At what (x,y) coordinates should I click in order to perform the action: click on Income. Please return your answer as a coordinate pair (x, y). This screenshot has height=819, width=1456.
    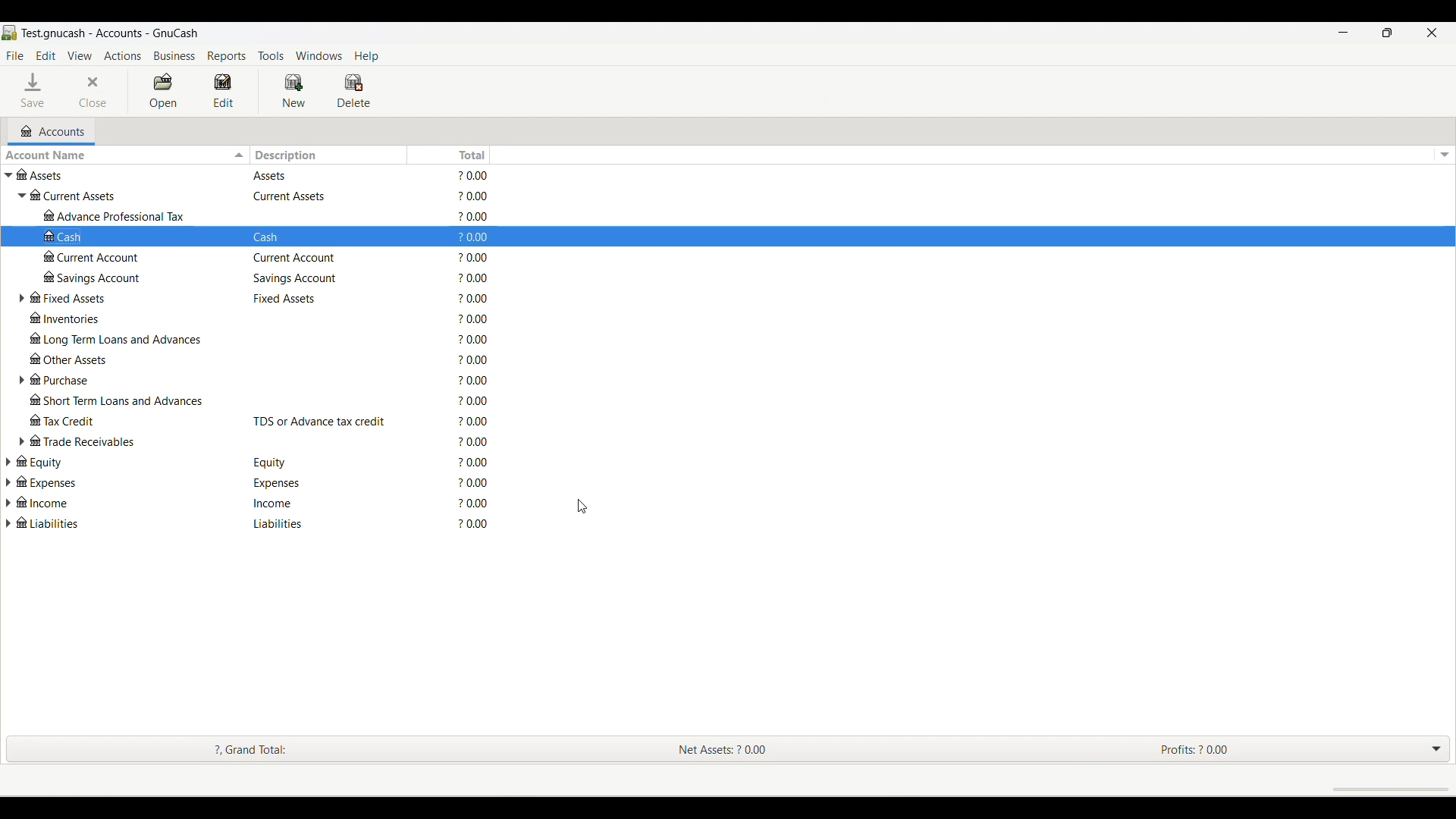
    Looking at the image, I should click on (105, 502).